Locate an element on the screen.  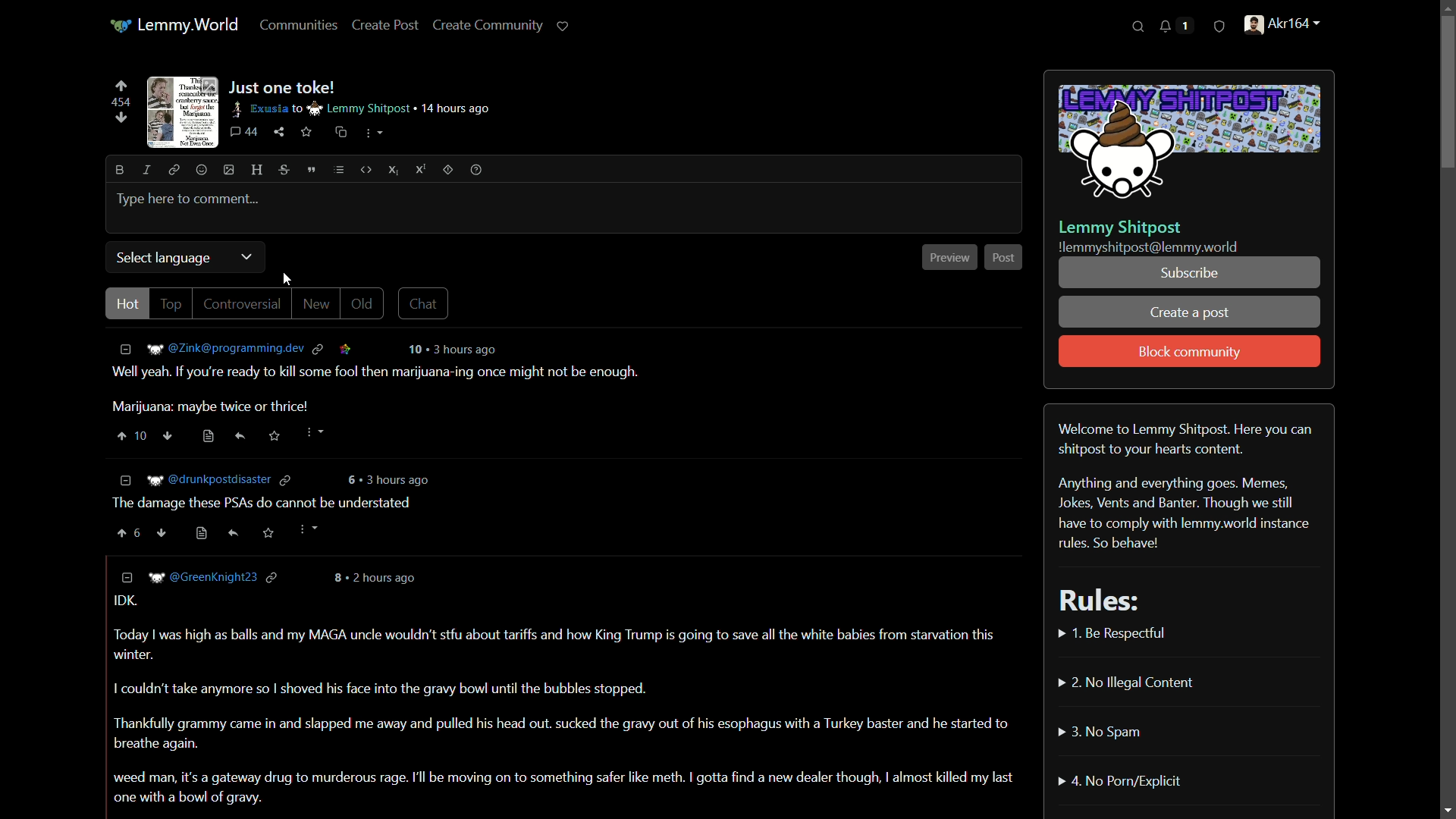
image is located at coordinates (229, 170).